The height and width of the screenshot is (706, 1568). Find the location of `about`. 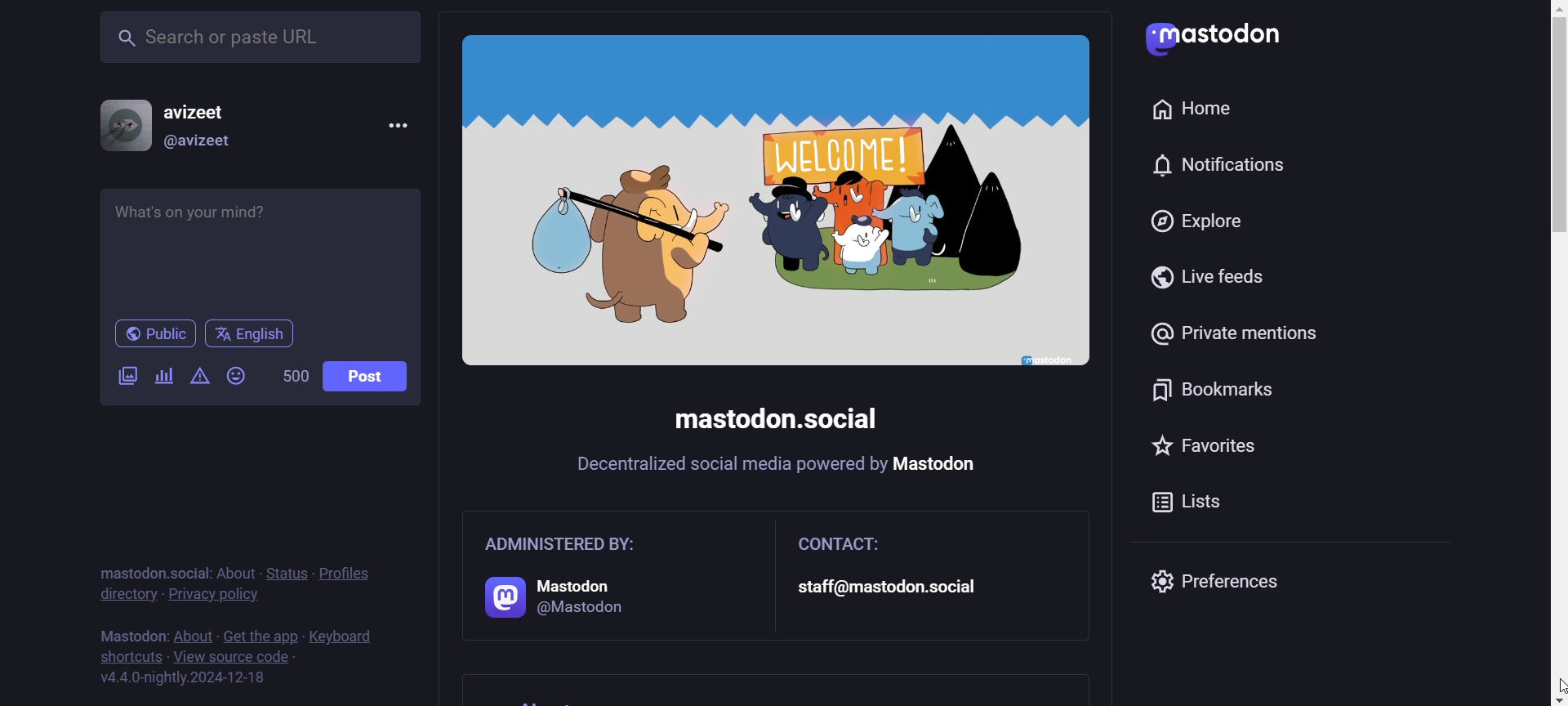

about is located at coordinates (234, 569).